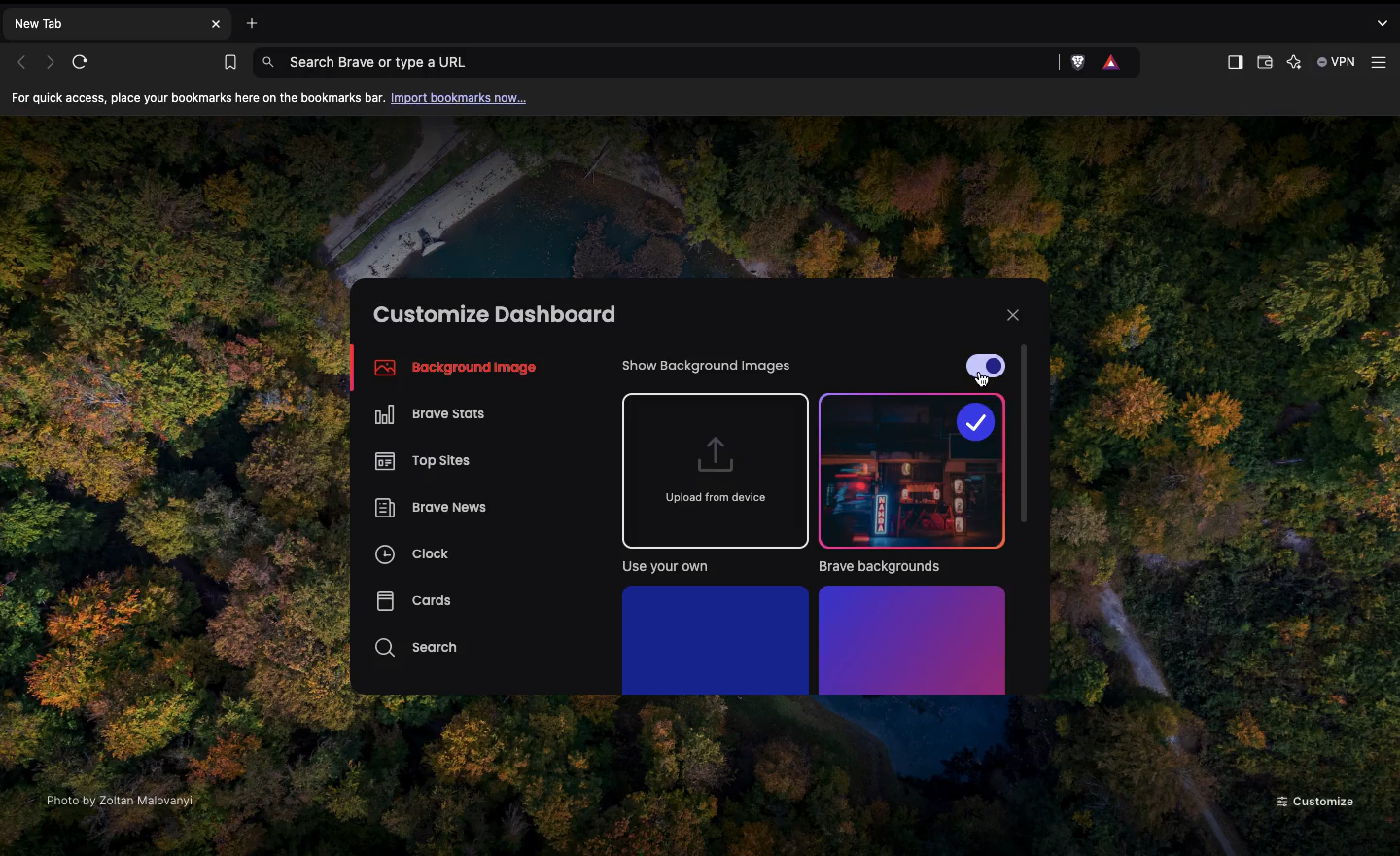 Image resolution: width=1400 pixels, height=856 pixels. Describe the element at coordinates (420, 458) in the screenshot. I see `Top sites` at that location.